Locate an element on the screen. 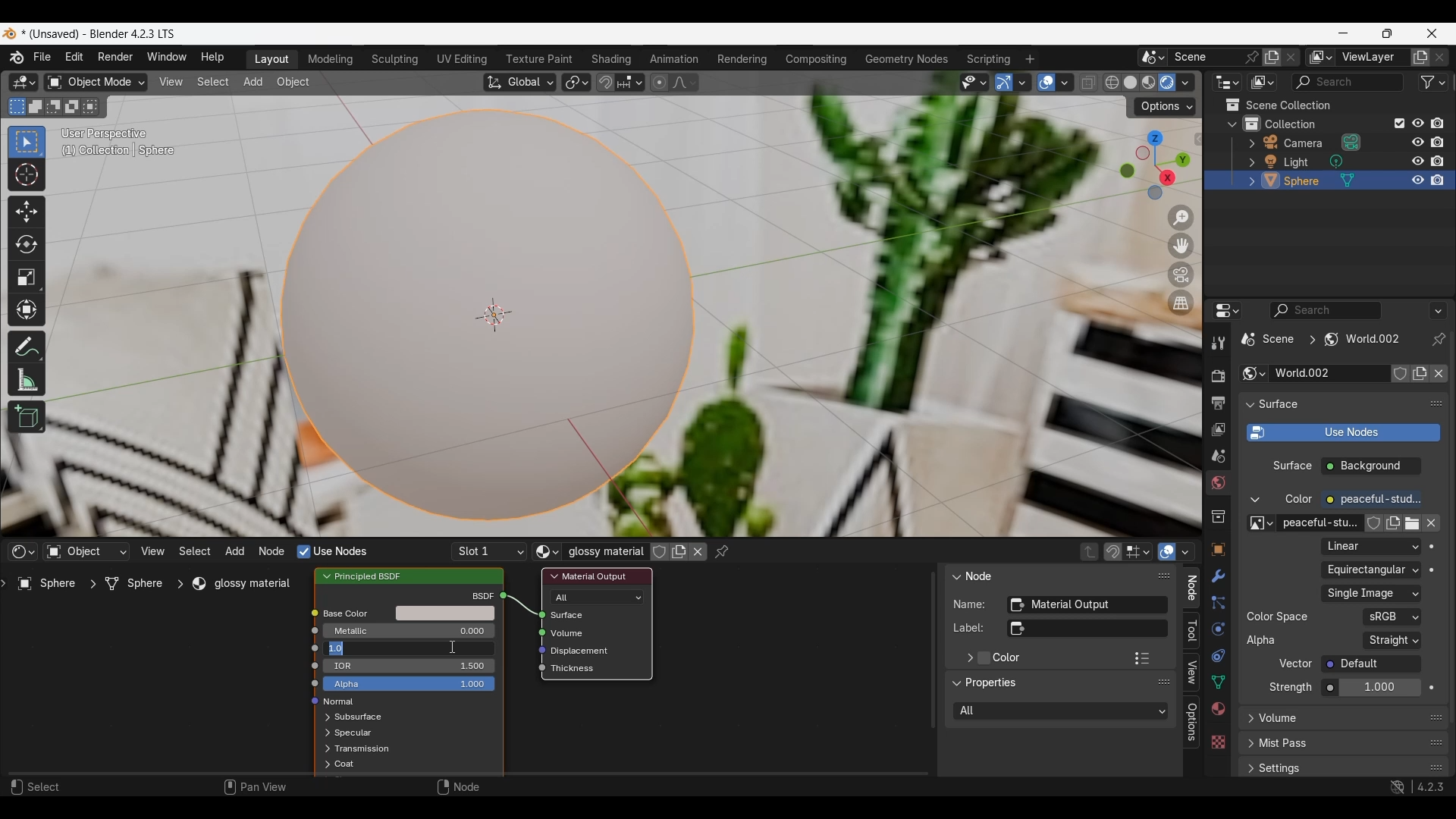  Collapse is located at coordinates (1255, 500).